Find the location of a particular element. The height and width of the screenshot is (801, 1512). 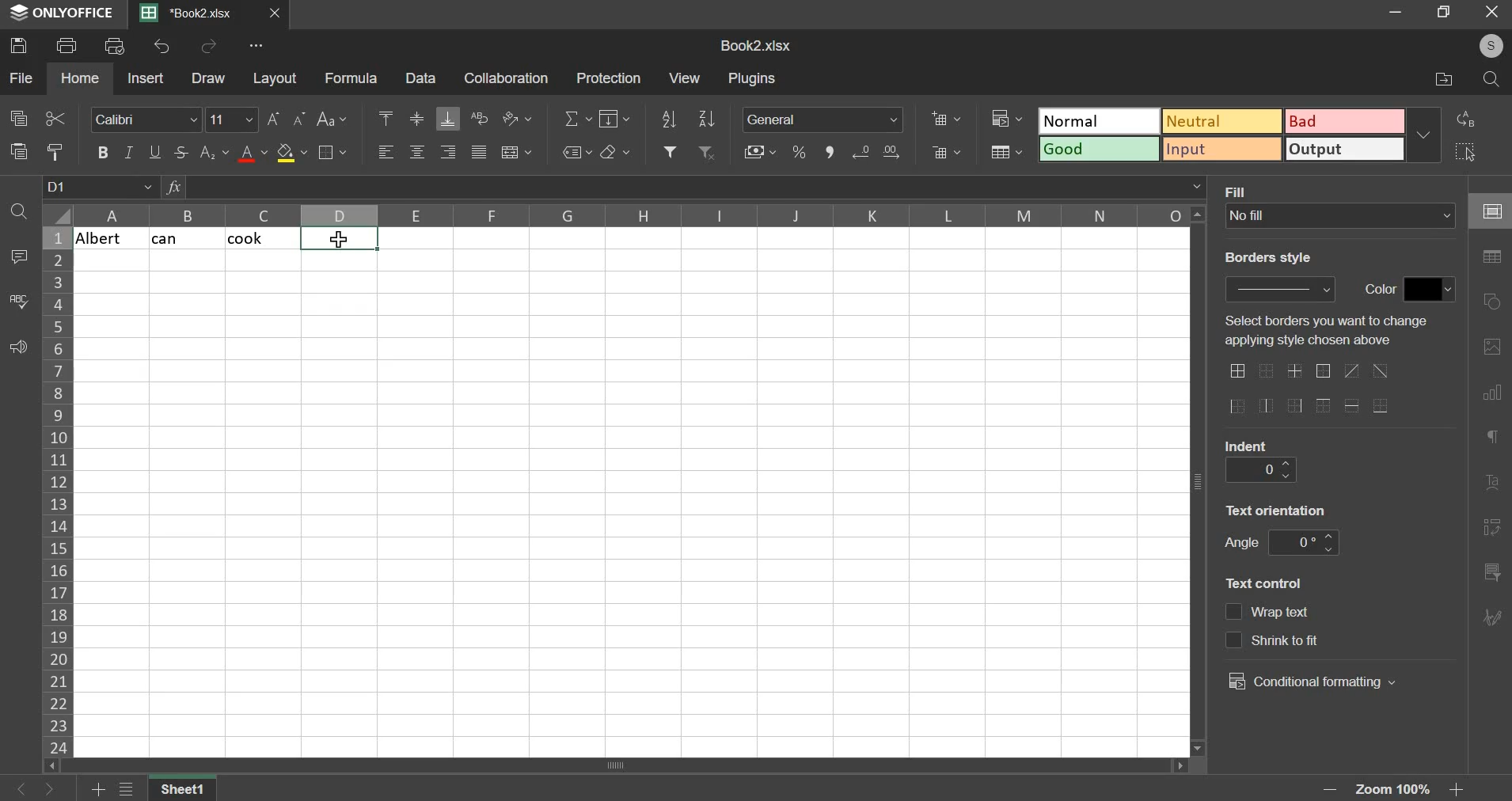

border options is located at coordinates (1316, 389).